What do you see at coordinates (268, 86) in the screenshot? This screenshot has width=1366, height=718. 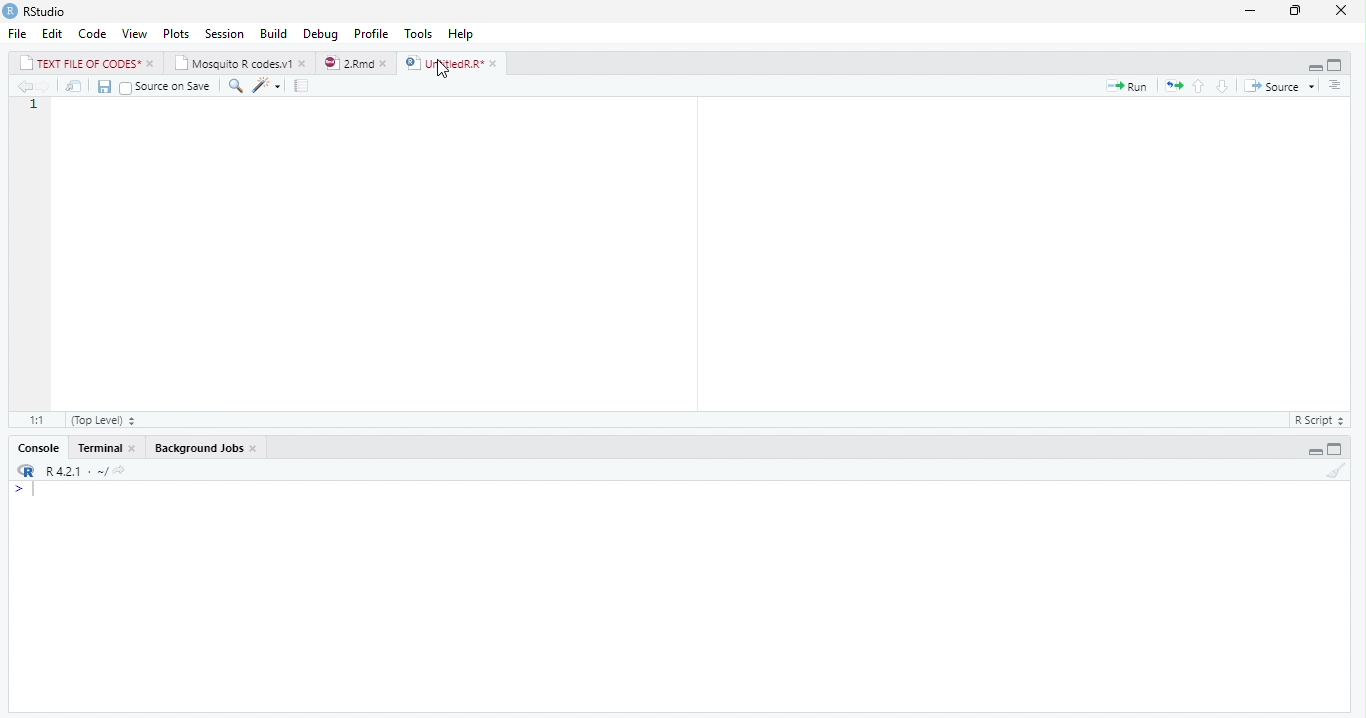 I see `code tools` at bounding box center [268, 86].